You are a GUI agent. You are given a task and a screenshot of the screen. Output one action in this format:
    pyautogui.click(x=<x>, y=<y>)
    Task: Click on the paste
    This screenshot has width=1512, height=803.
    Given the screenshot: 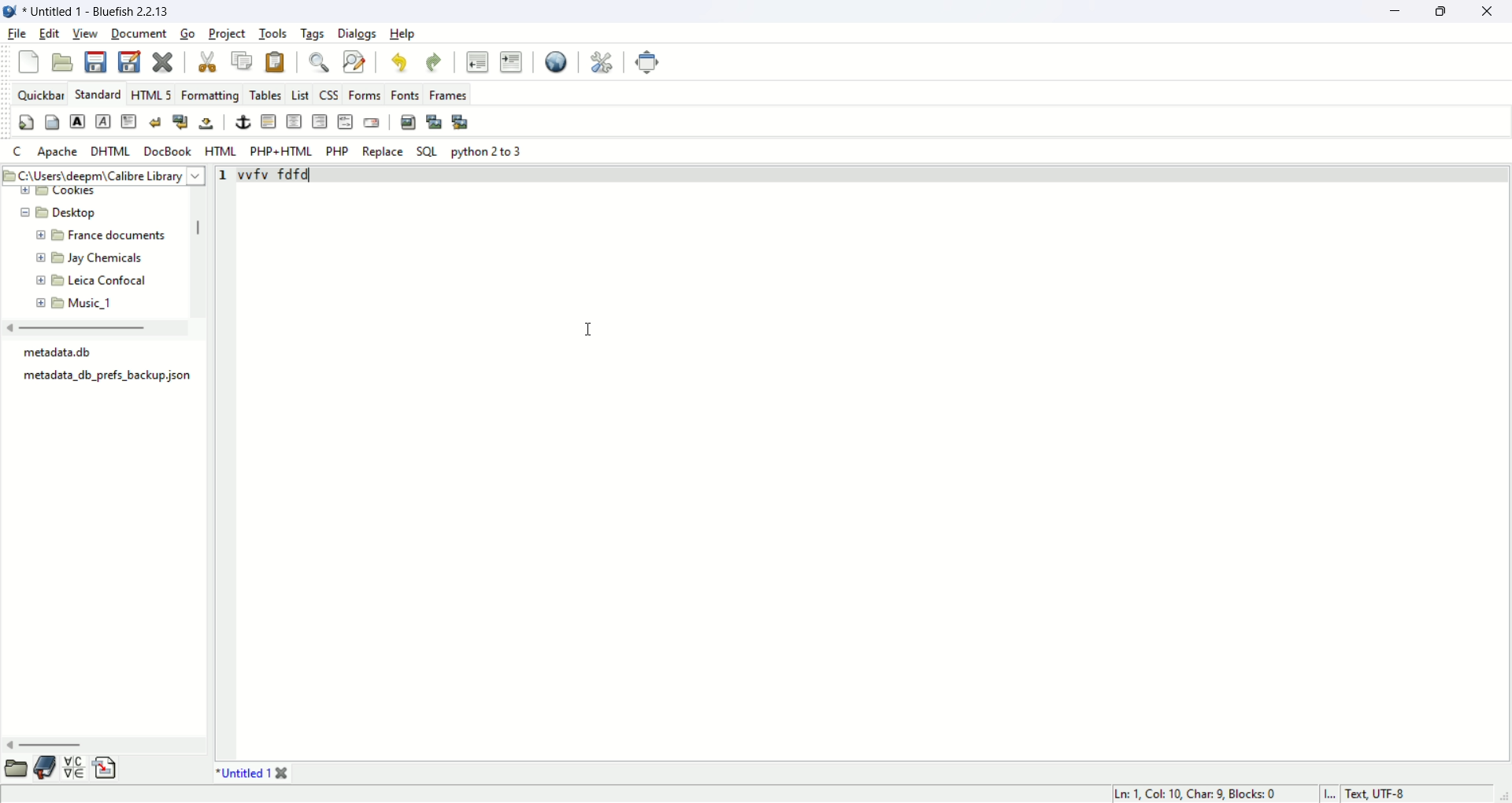 What is the action you would take?
    pyautogui.click(x=278, y=61)
    